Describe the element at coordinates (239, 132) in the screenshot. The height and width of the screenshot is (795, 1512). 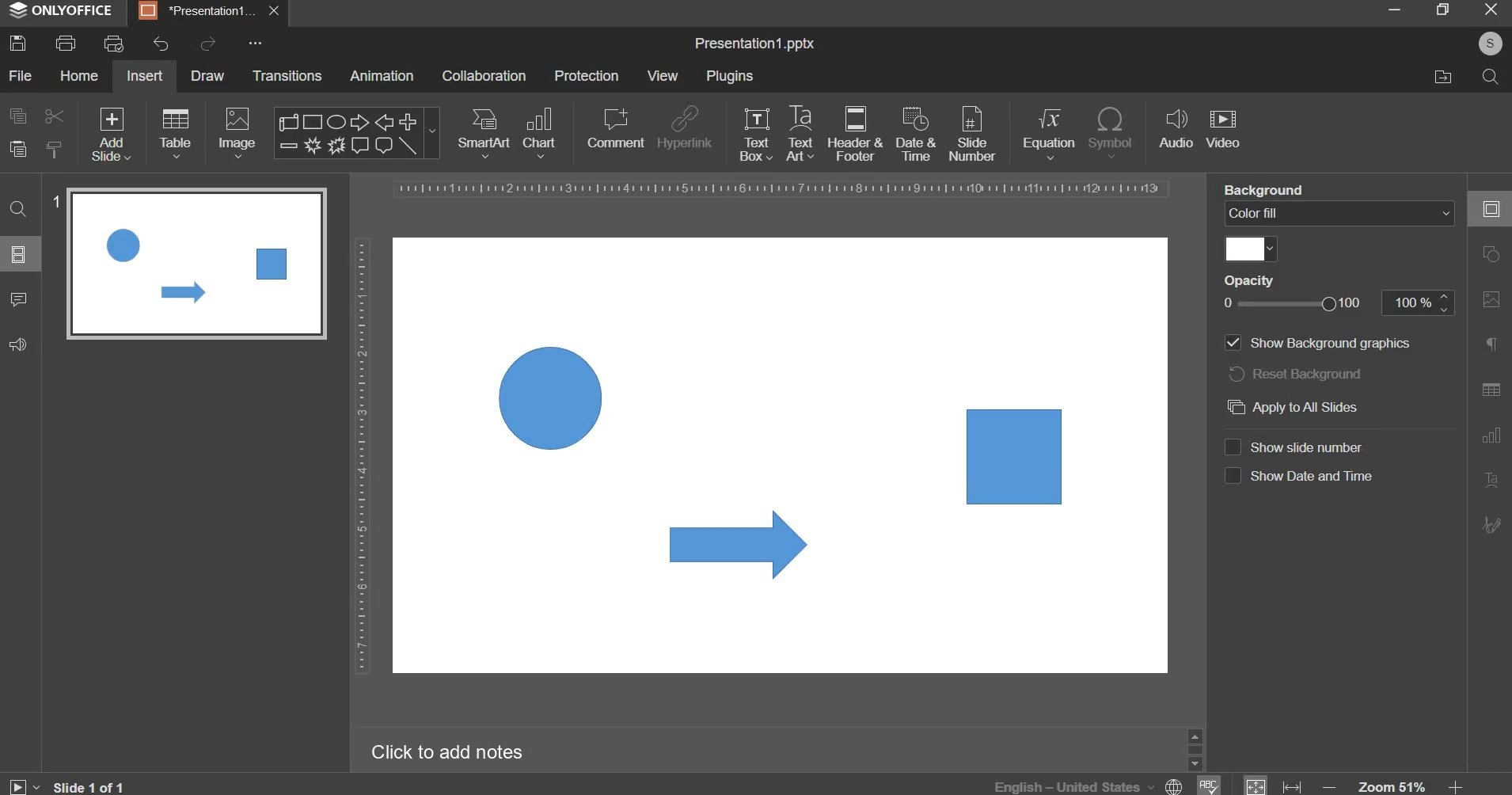
I see `image` at that location.